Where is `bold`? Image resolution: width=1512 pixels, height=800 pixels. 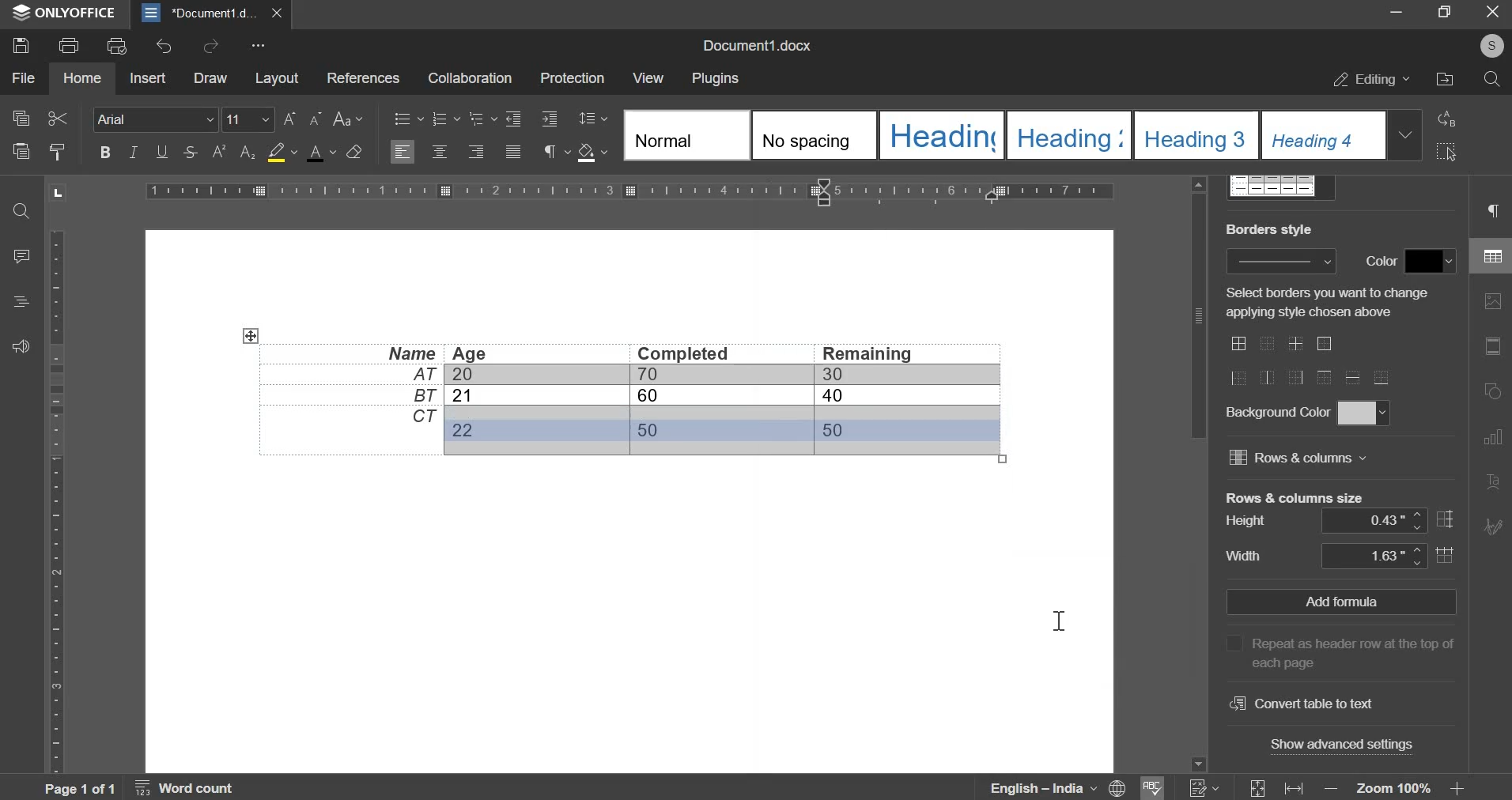
bold is located at coordinates (105, 152).